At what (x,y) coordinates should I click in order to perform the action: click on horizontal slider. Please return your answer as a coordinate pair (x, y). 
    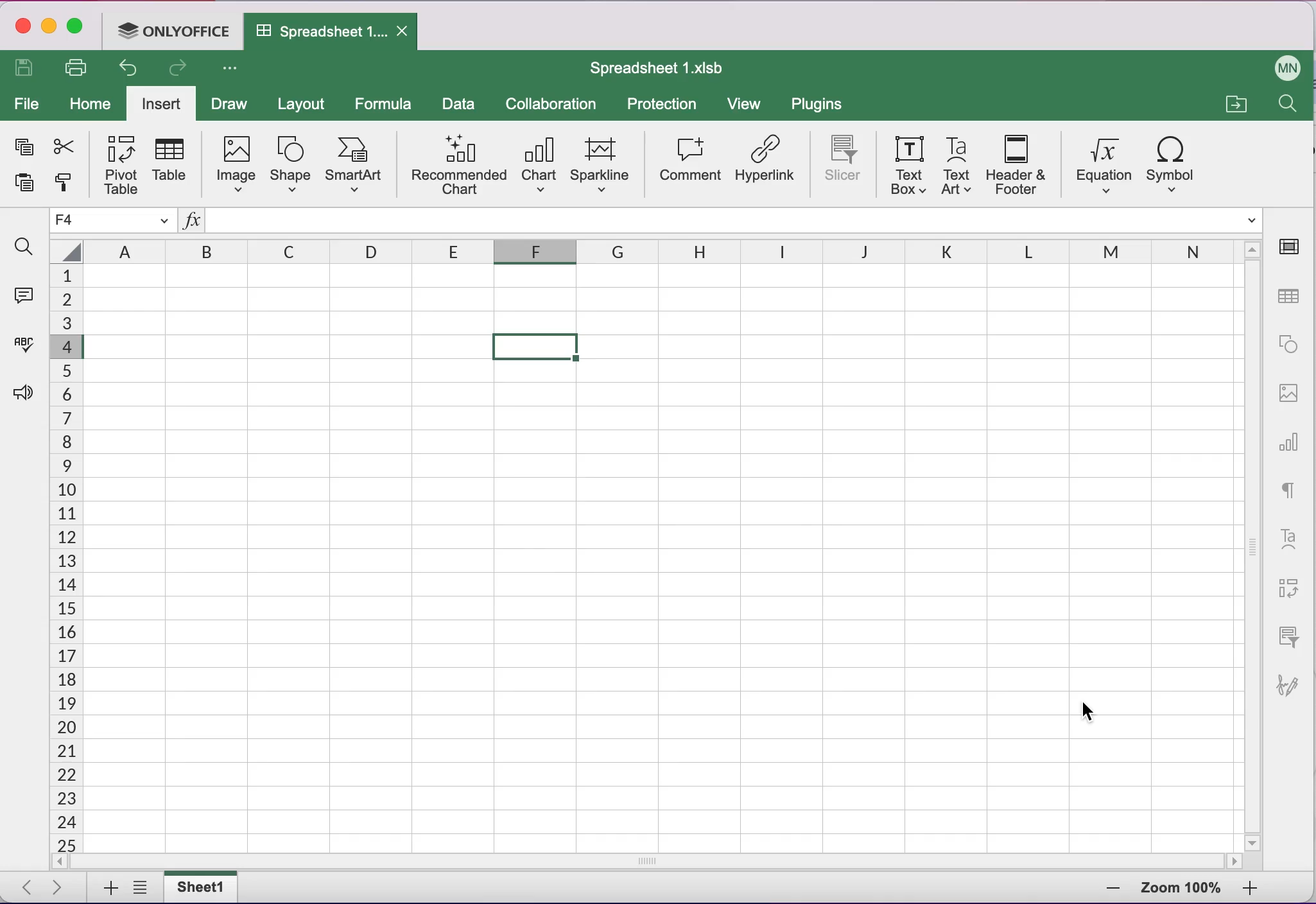
    Looking at the image, I should click on (656, 862).